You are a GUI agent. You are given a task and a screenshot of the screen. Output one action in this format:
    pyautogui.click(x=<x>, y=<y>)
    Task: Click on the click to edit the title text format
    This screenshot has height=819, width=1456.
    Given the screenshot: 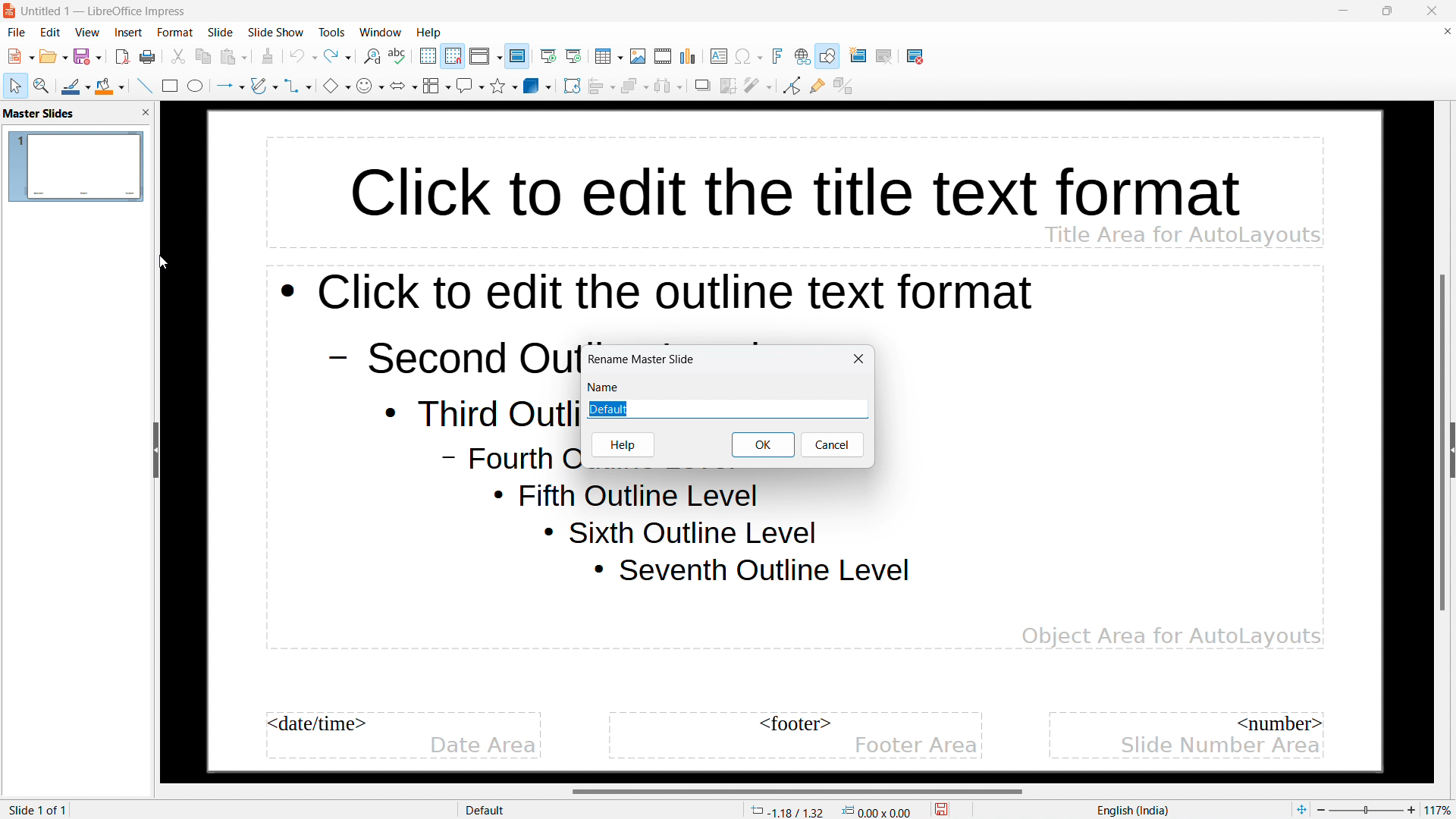 What is the action you would take?
    pyautogui.click(x=763, y=180)
    